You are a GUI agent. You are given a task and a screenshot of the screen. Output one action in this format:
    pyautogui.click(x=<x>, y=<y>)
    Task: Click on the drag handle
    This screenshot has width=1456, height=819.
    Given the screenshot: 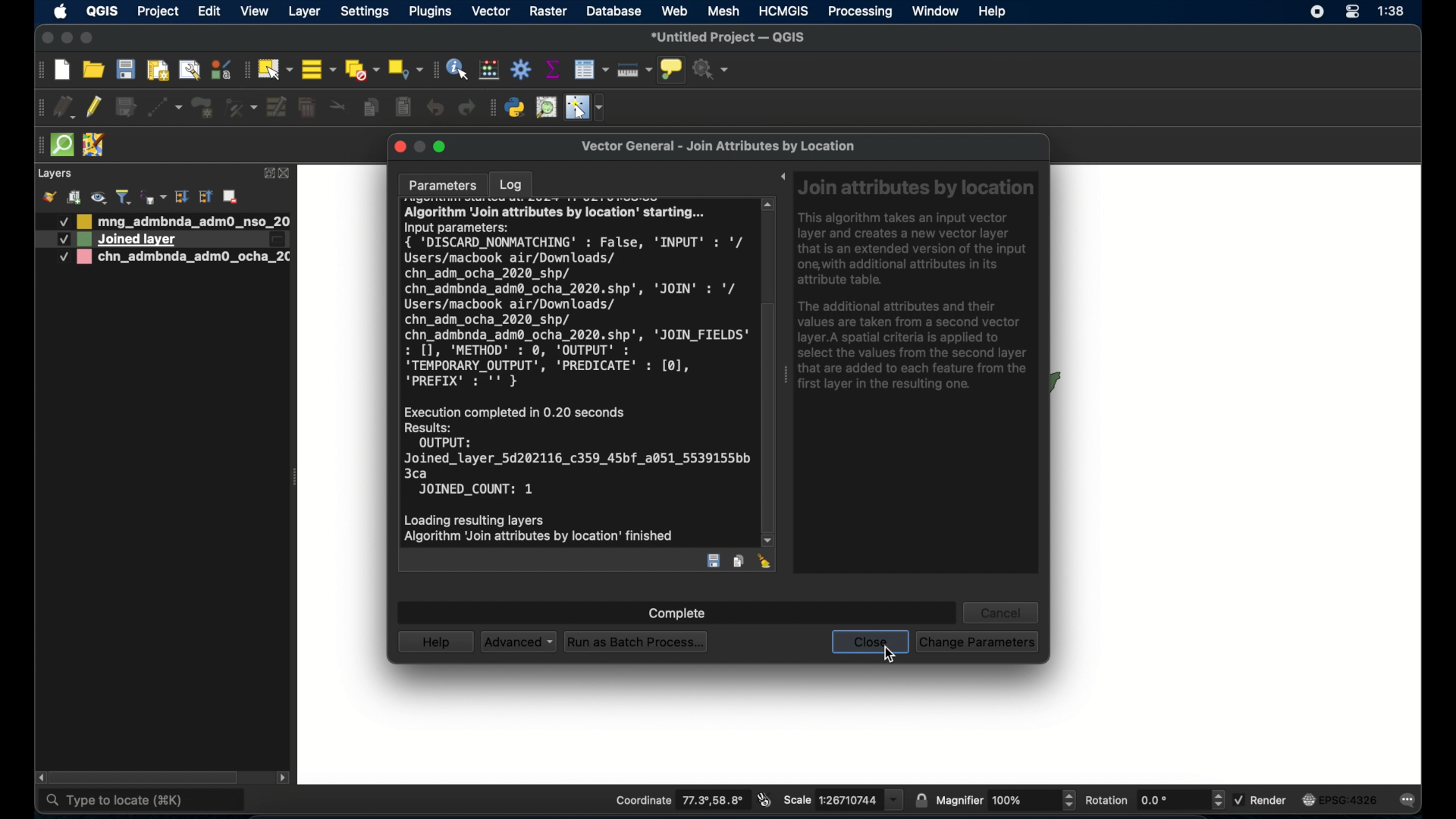 What is the action you would take?
    pyautogui.click(x=39, y=144)
    